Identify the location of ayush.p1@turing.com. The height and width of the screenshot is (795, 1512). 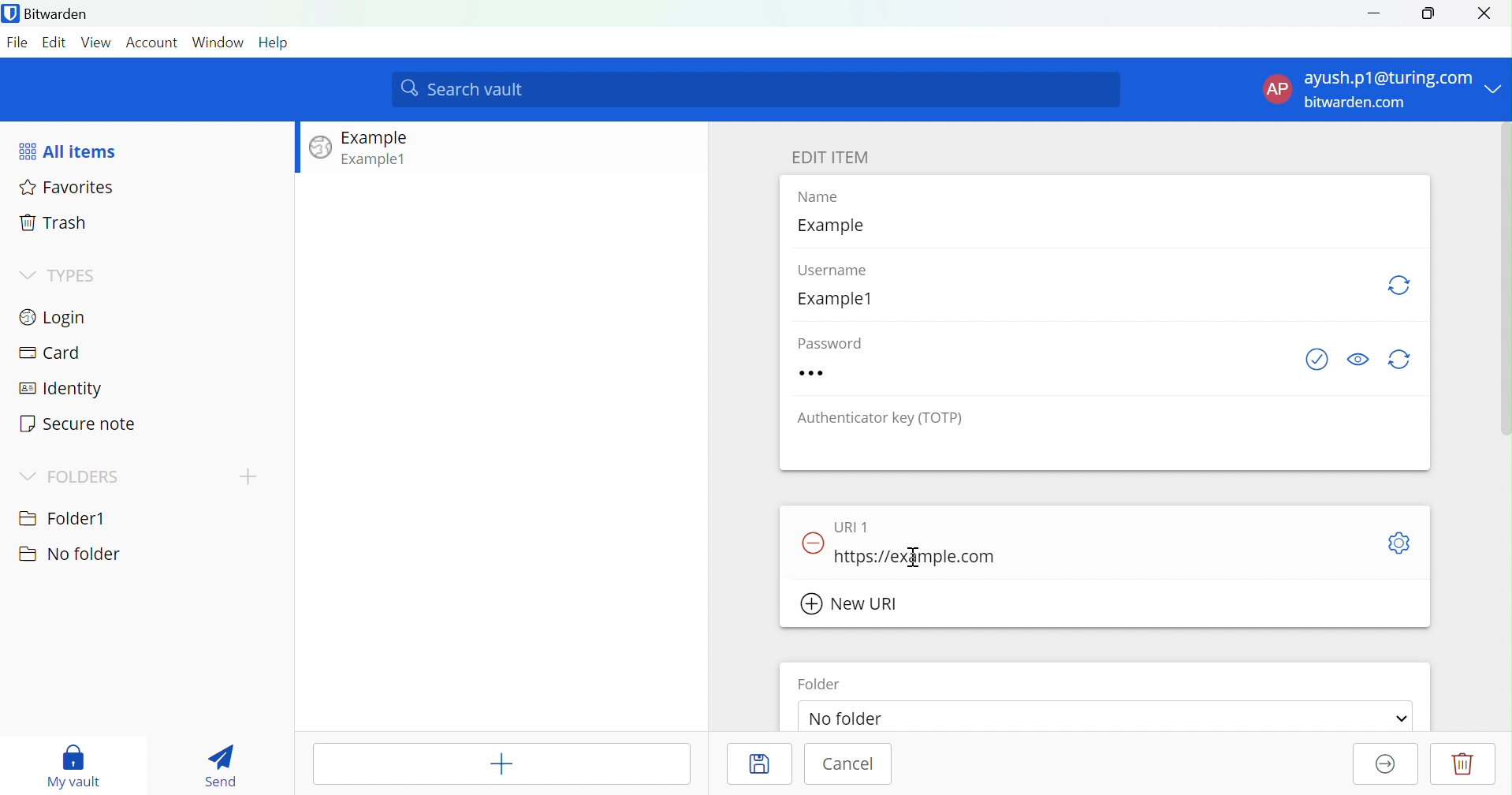
(1390, 78).